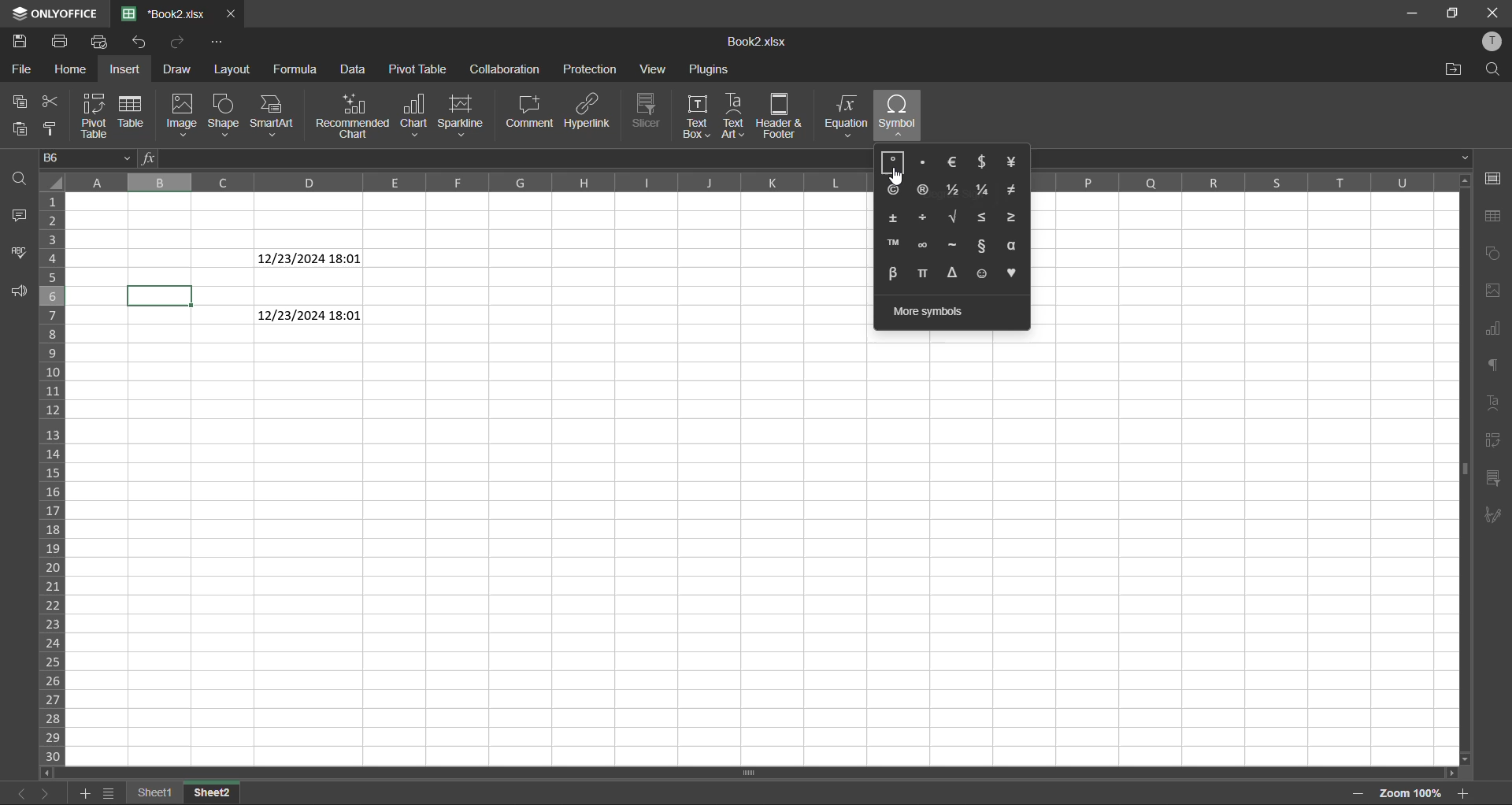 This screenshot has height=805, width=1512. Describe the element at coordinates (84, 794) in the screenshot. I see `add sheet` at that location.